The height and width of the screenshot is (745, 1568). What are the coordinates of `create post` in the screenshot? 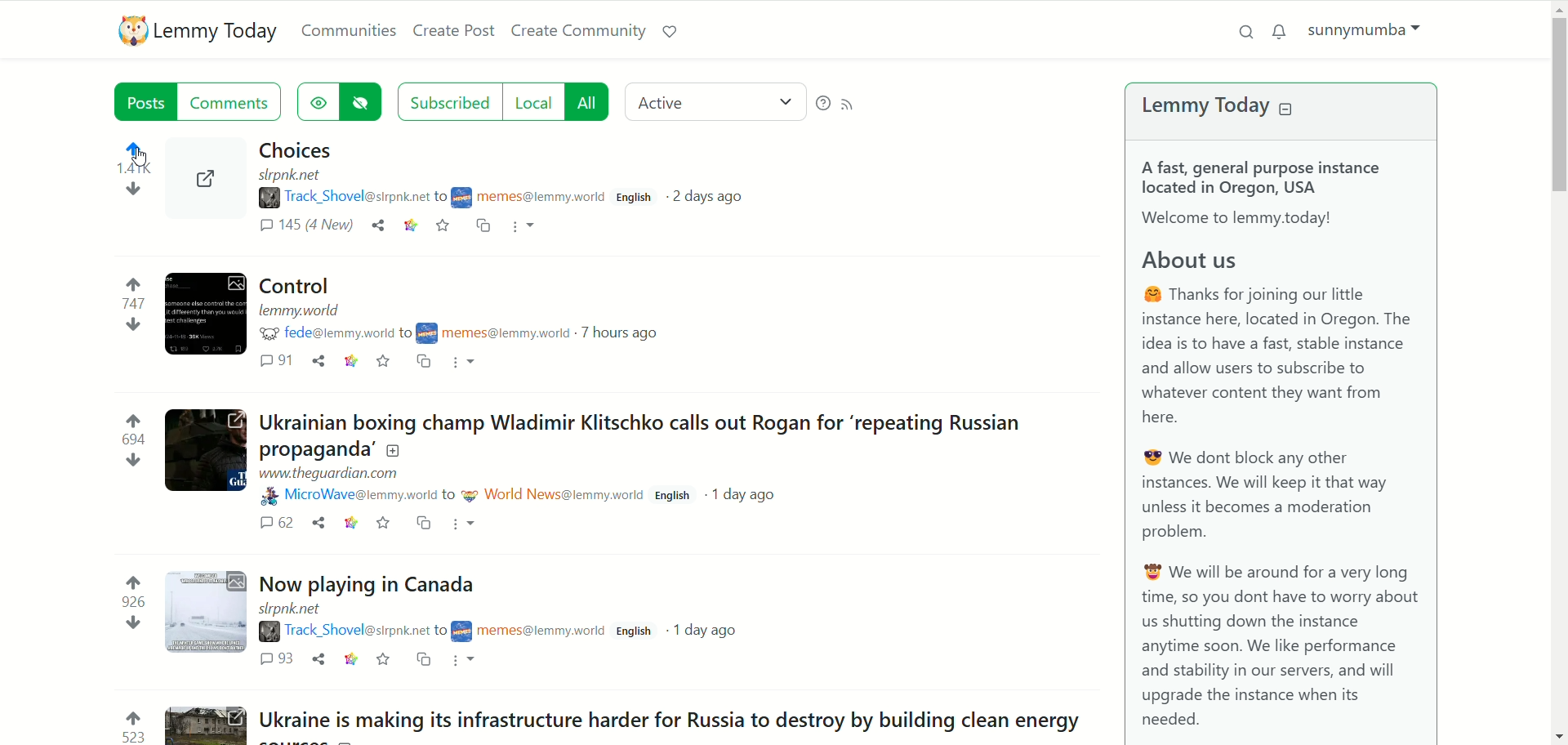 It's located at (454, 31).